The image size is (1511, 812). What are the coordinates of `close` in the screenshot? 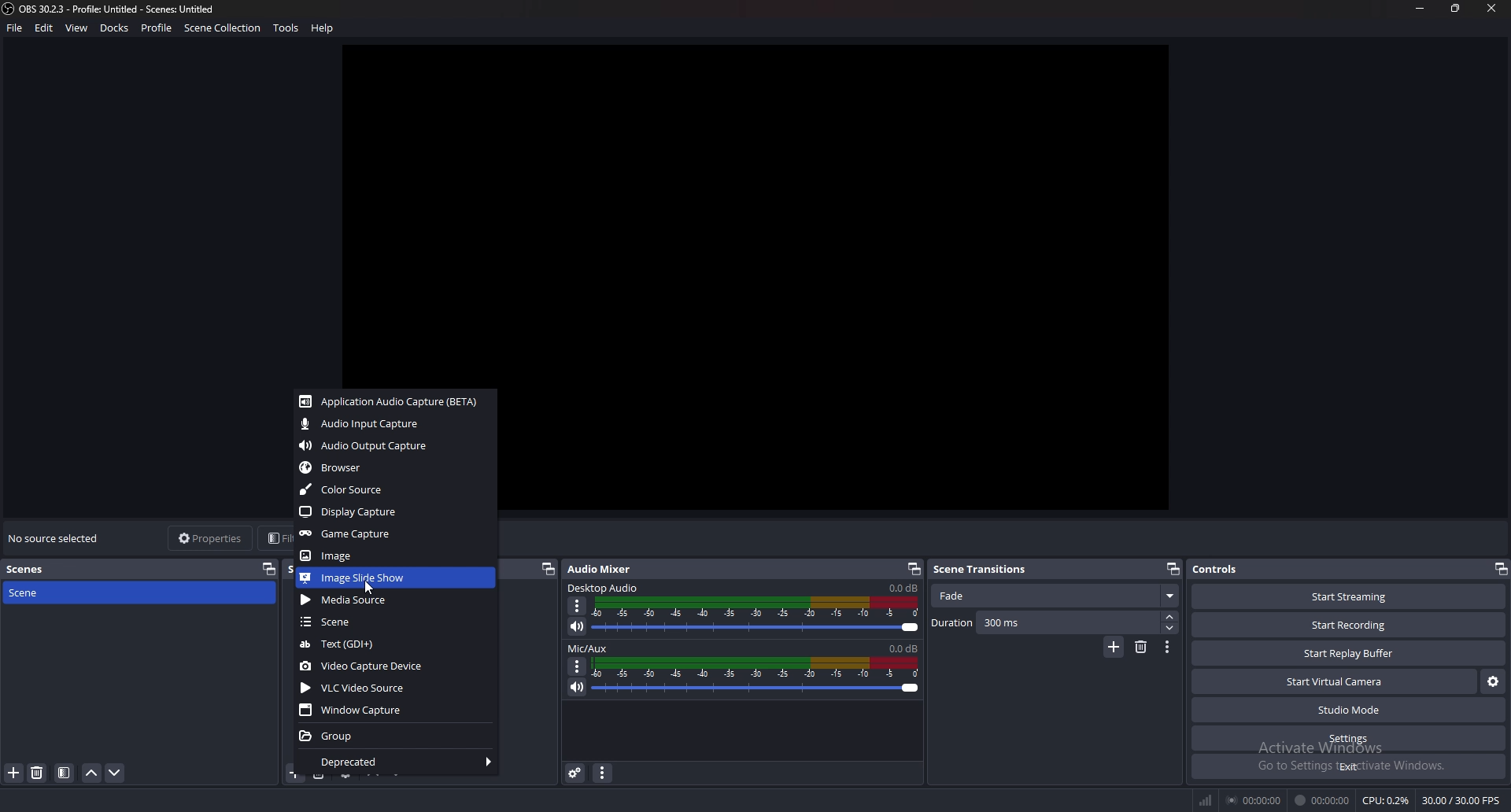 It's located at (1494, 10).